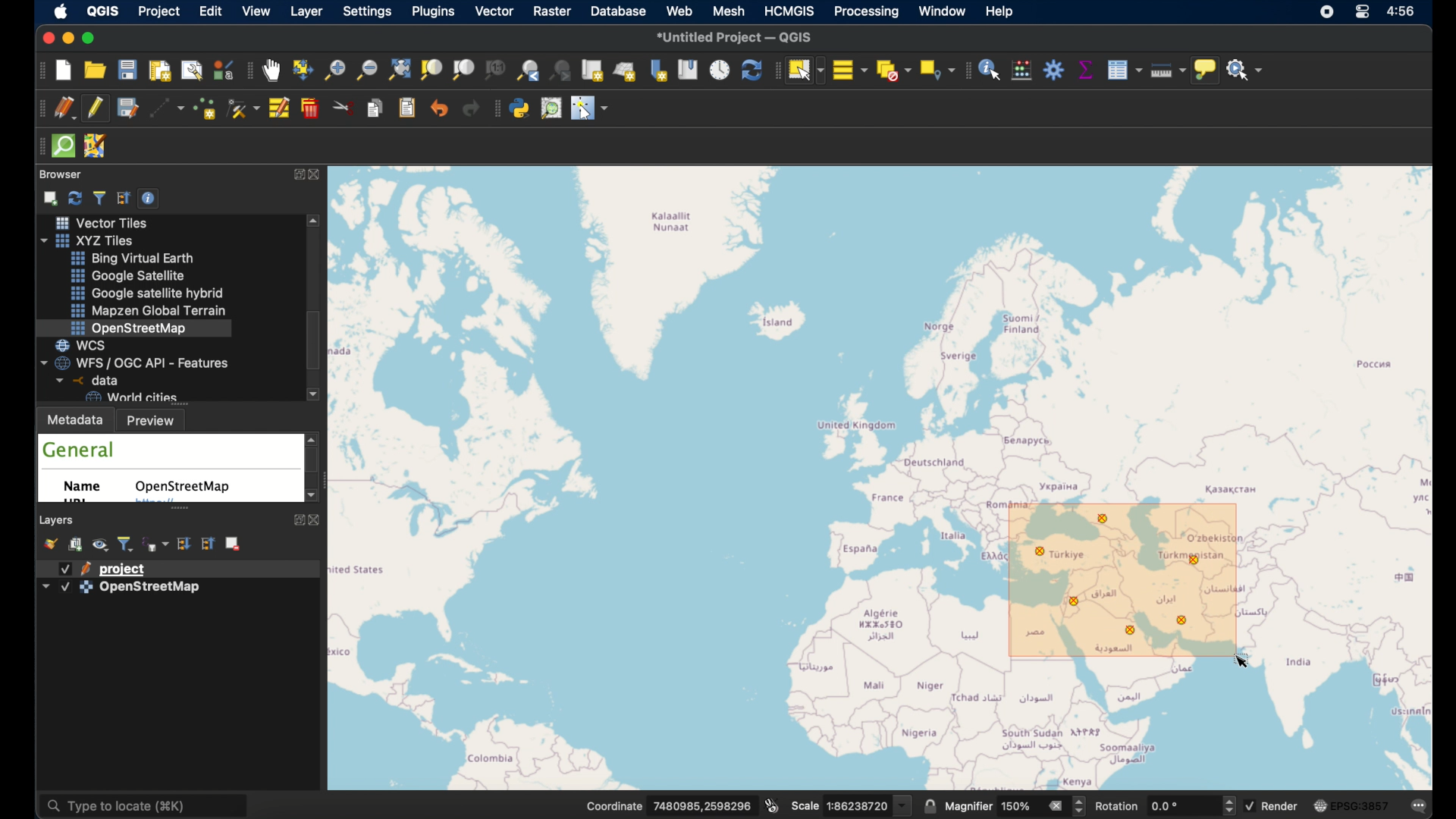 The width and height of the screenshot is (1456, 819). What do you see at coordinates (64, 108) in the screenshot?
I see `current edits` at bounding box center [64, 108].